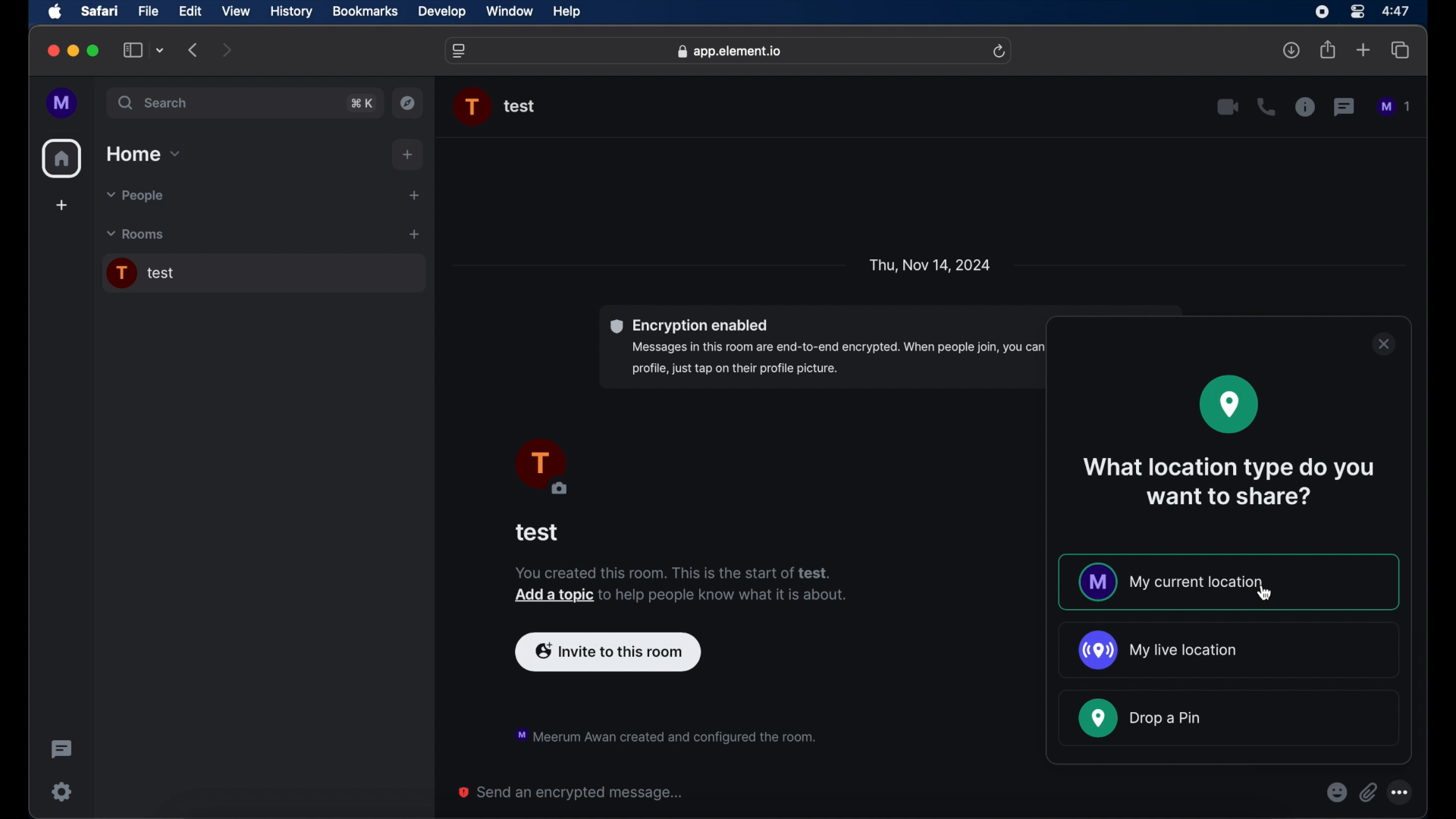 The height and width of the screenshot is (819, 1456). I want to click on add  room, so click(414, 234).